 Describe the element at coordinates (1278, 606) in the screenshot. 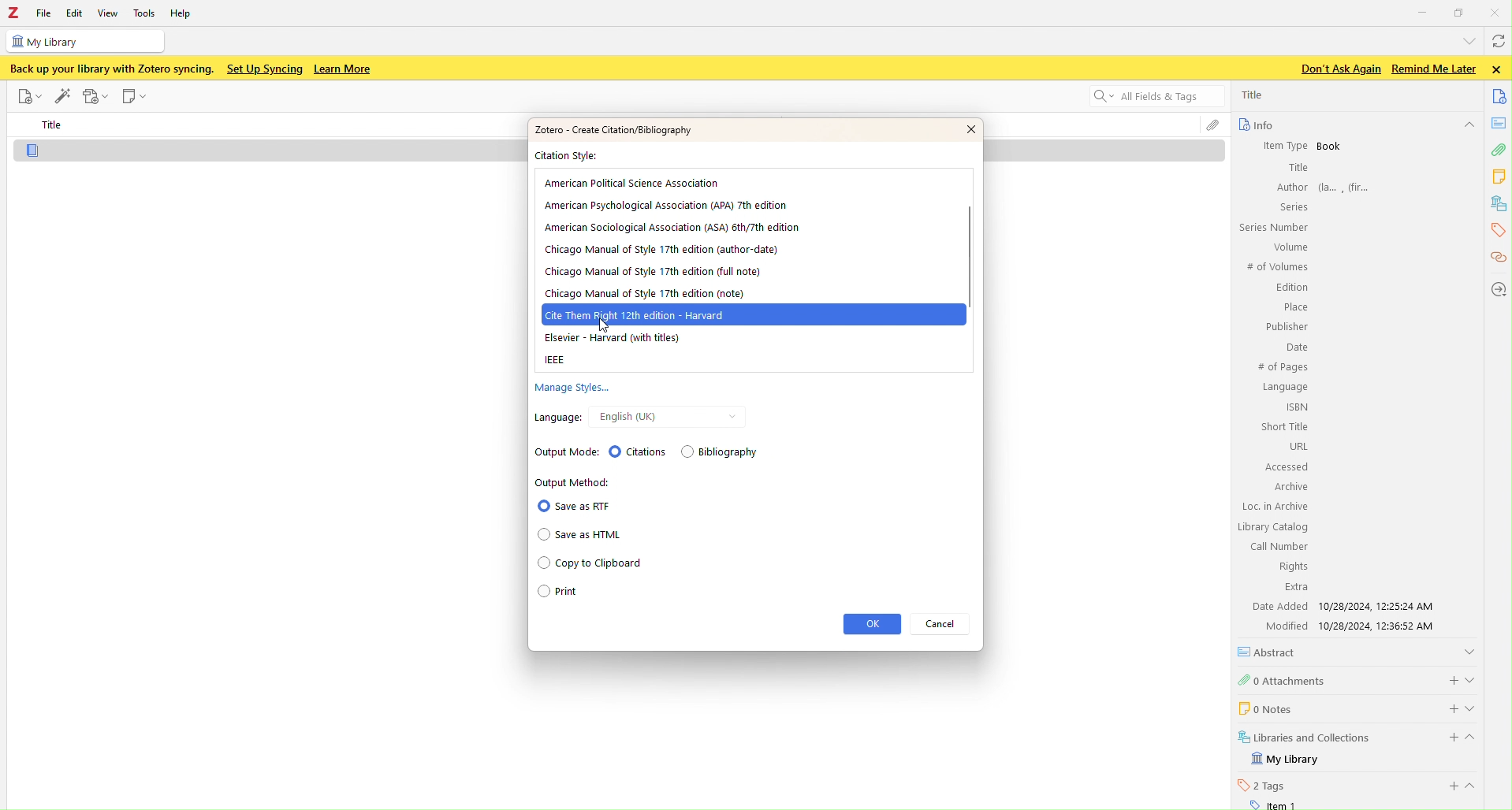

I see `Date Added` at that location.